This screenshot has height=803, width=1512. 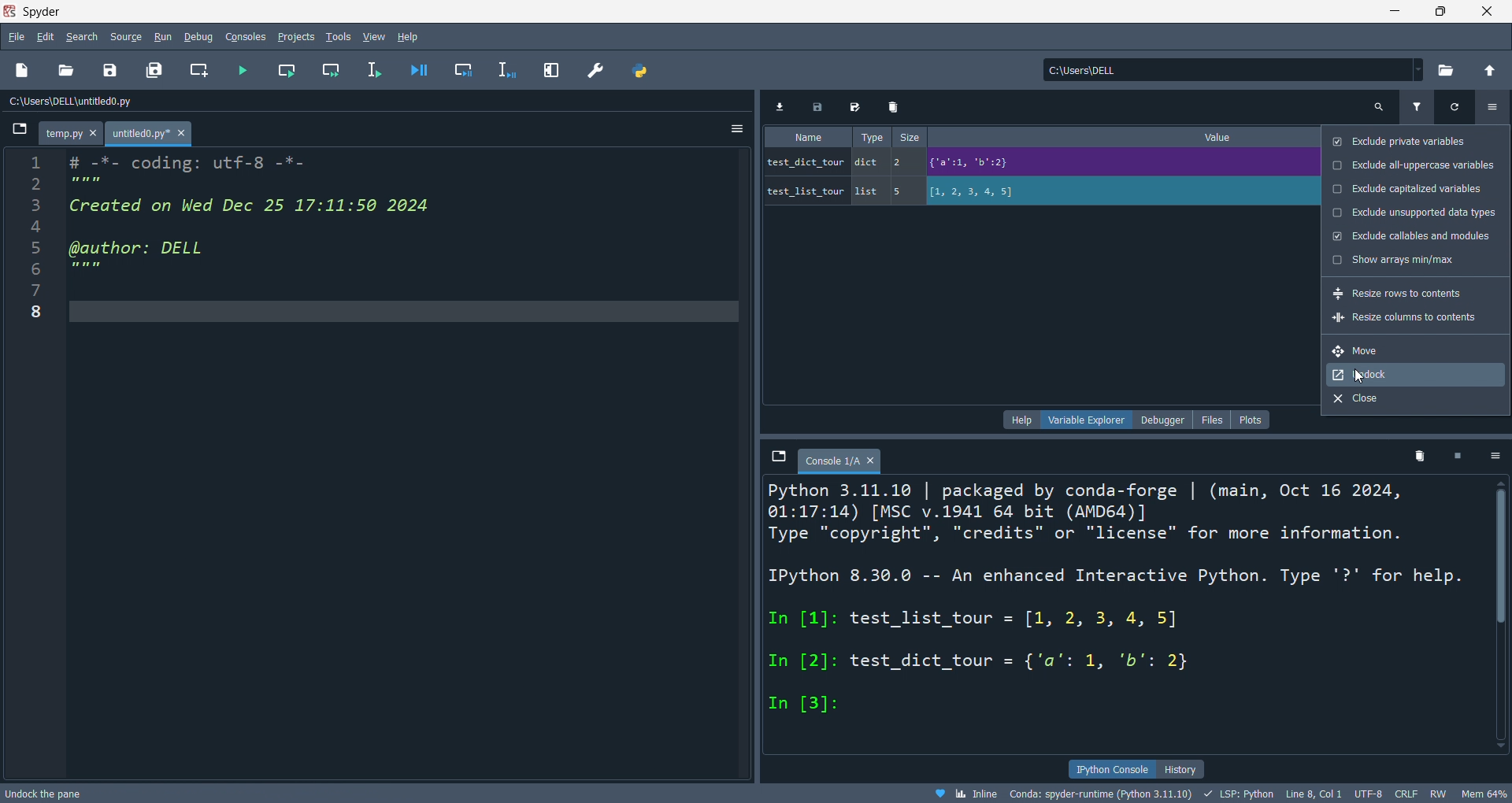 I want to click on close, so click(x=1409, y=398).